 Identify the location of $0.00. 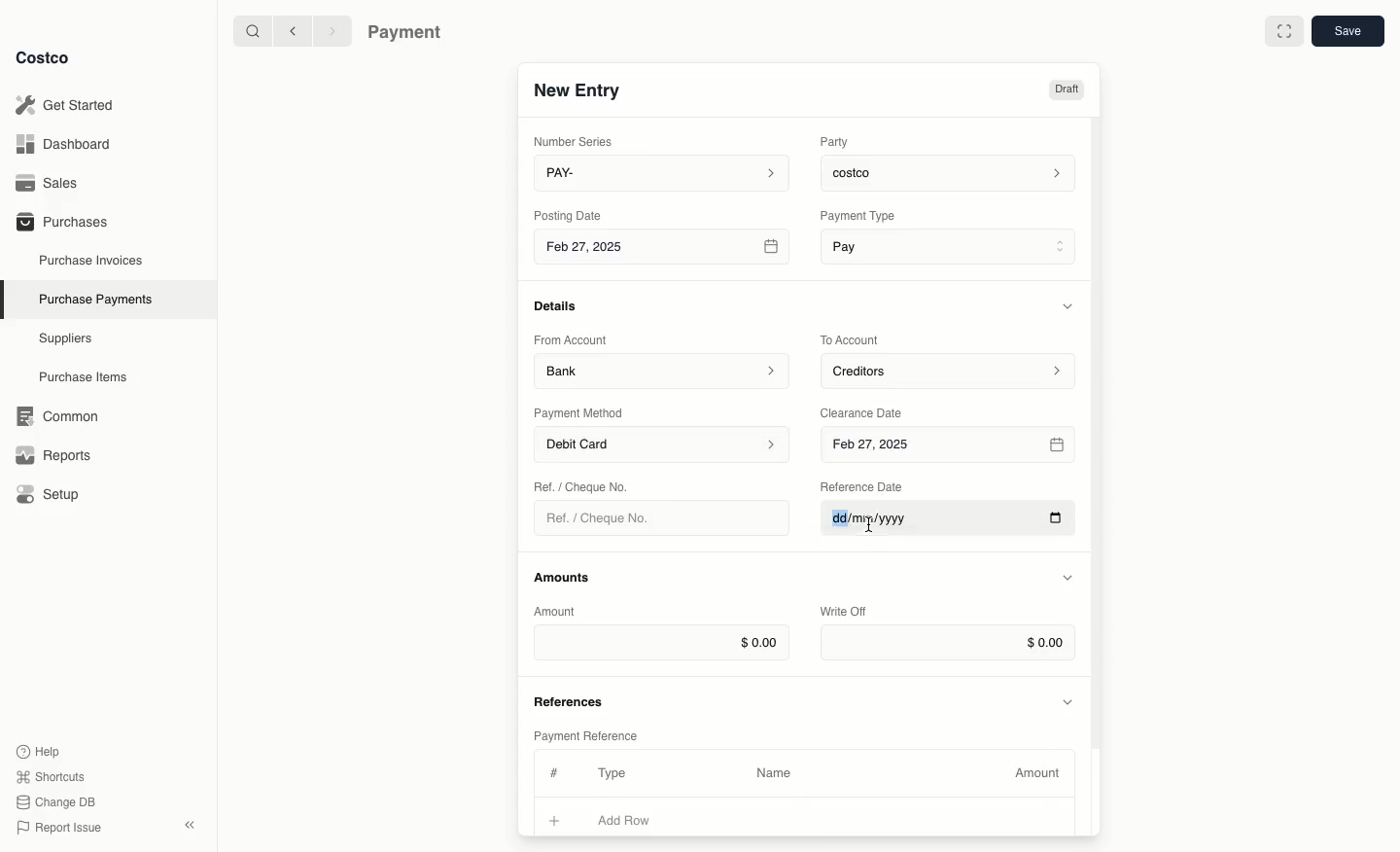
(661, 642).